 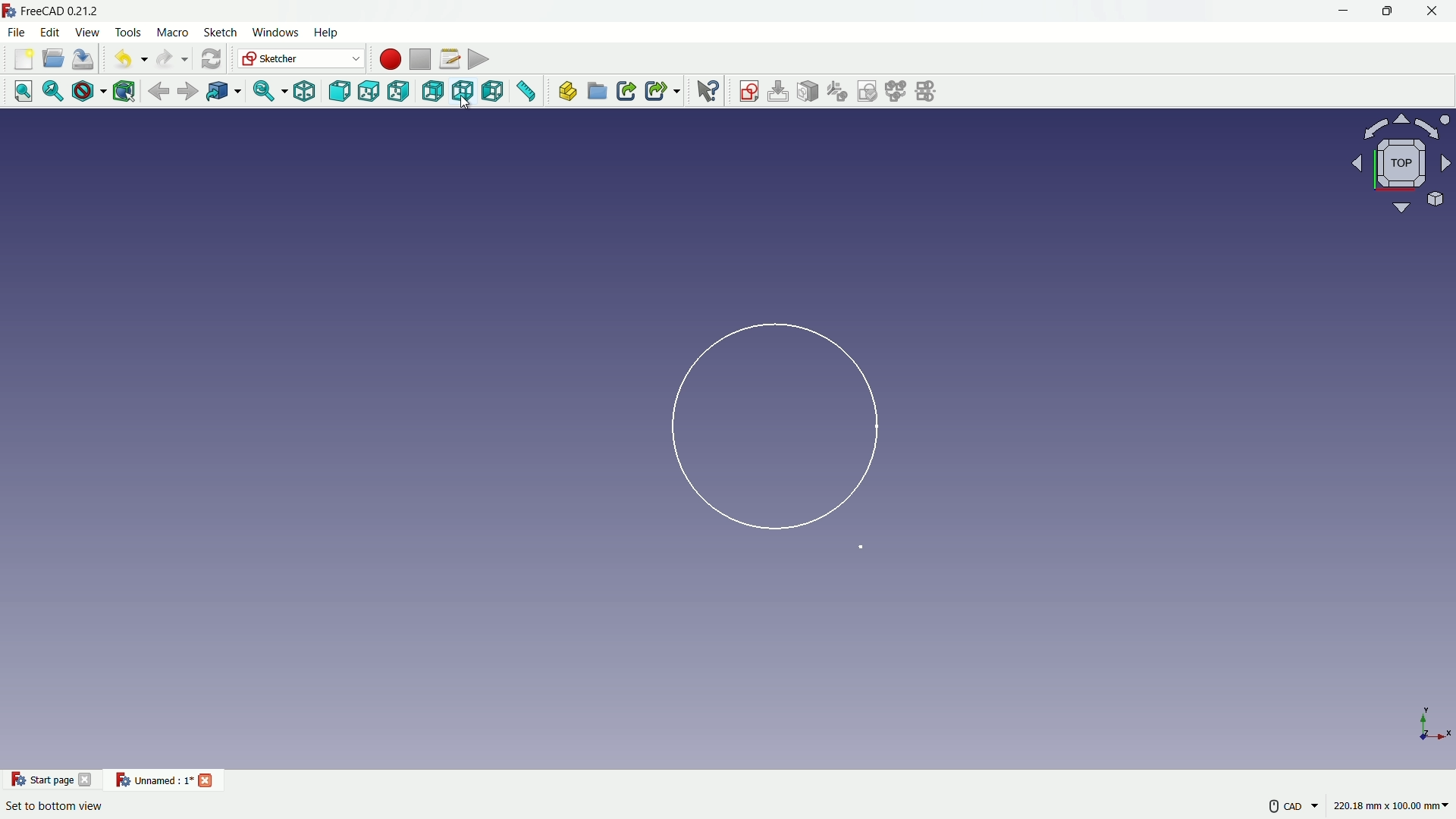 I want to click on execute macros, so click(x=480, y=58).